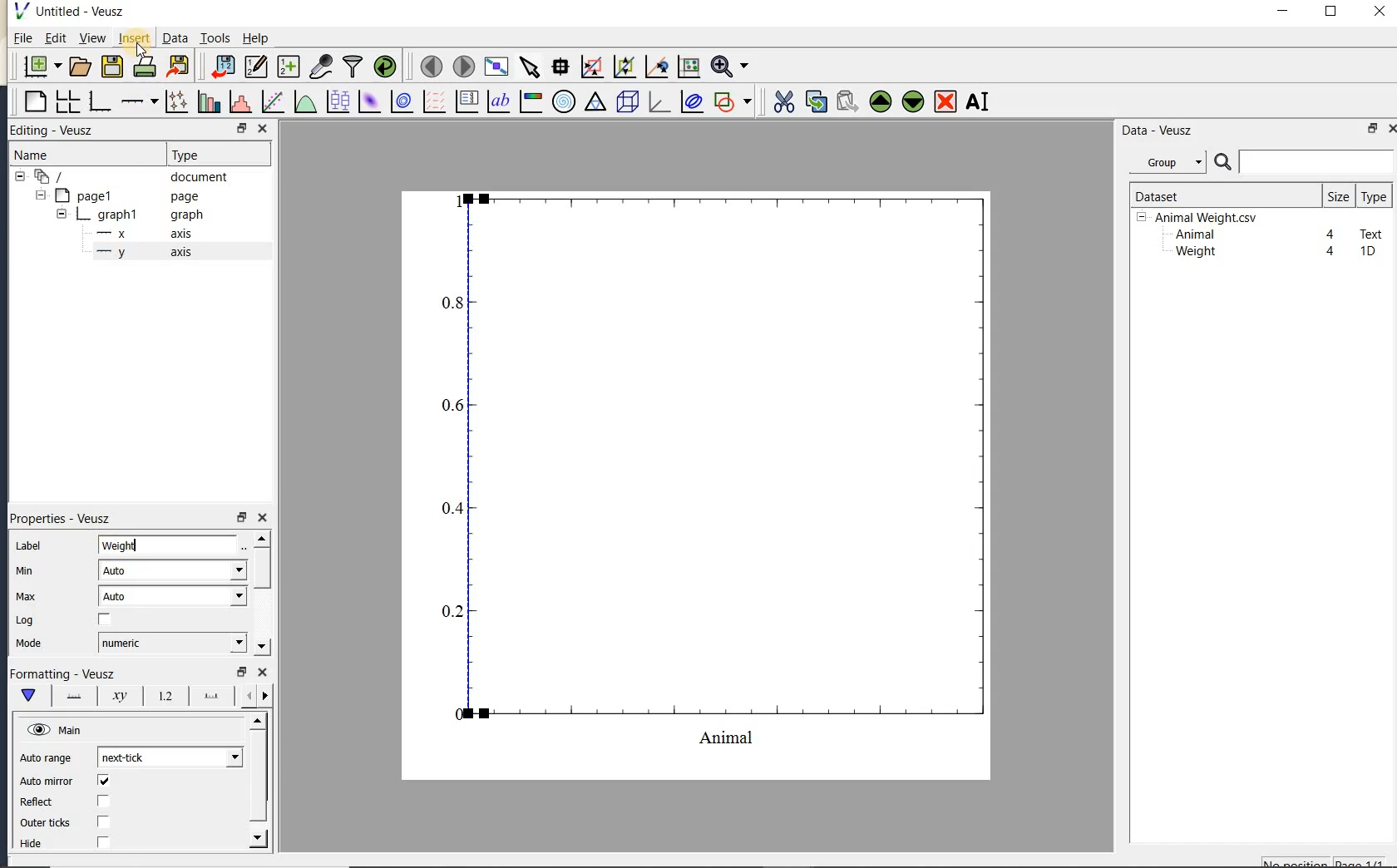  Describe the element at coordinates (335, 102) in the screenshot. I see `plot box plots` at that location.